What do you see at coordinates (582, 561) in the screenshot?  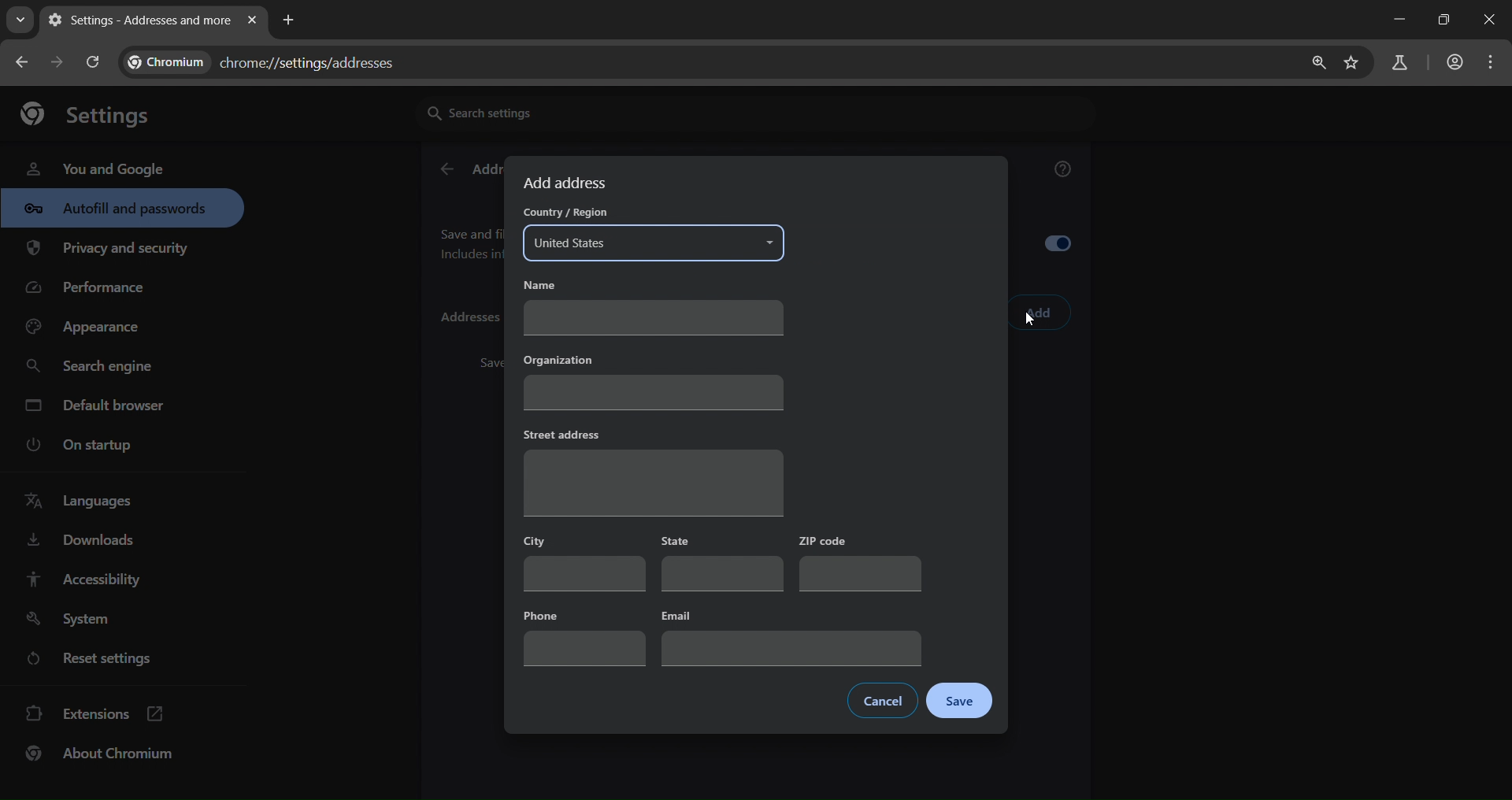 I see `city` at bounding box center [582, 561].